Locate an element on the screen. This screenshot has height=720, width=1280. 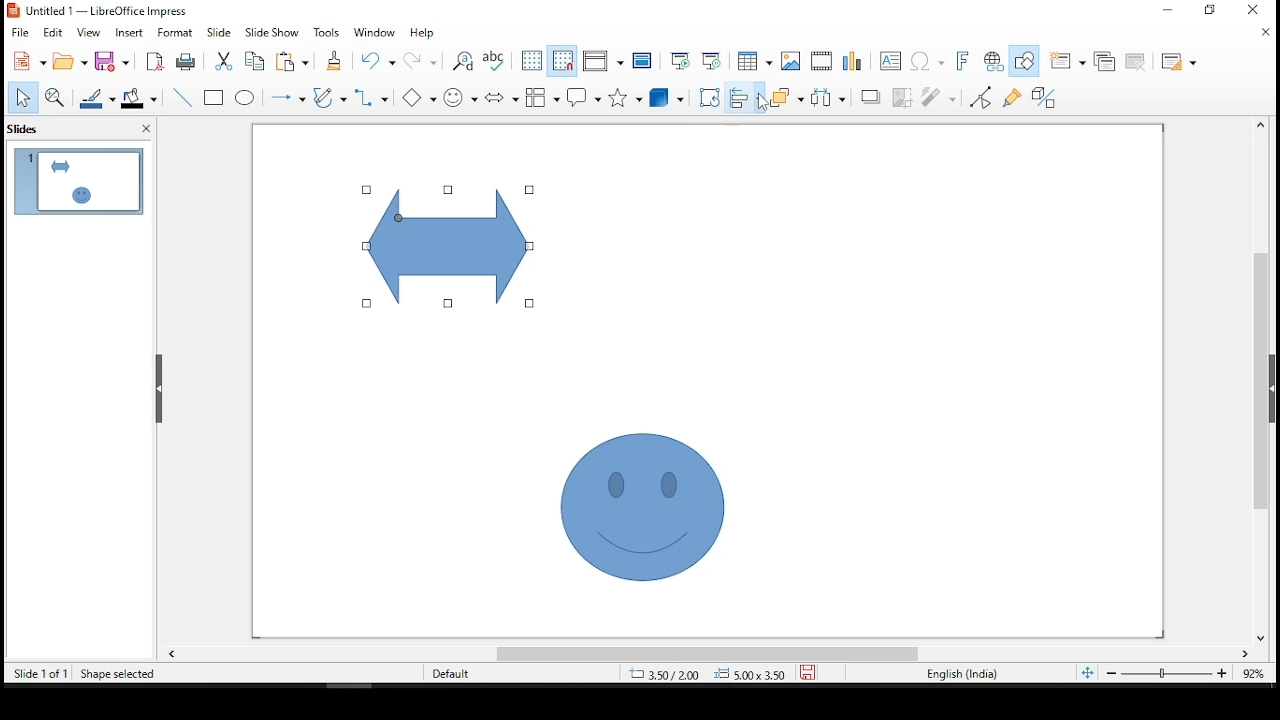
charts is located at coordinates (855, 62).